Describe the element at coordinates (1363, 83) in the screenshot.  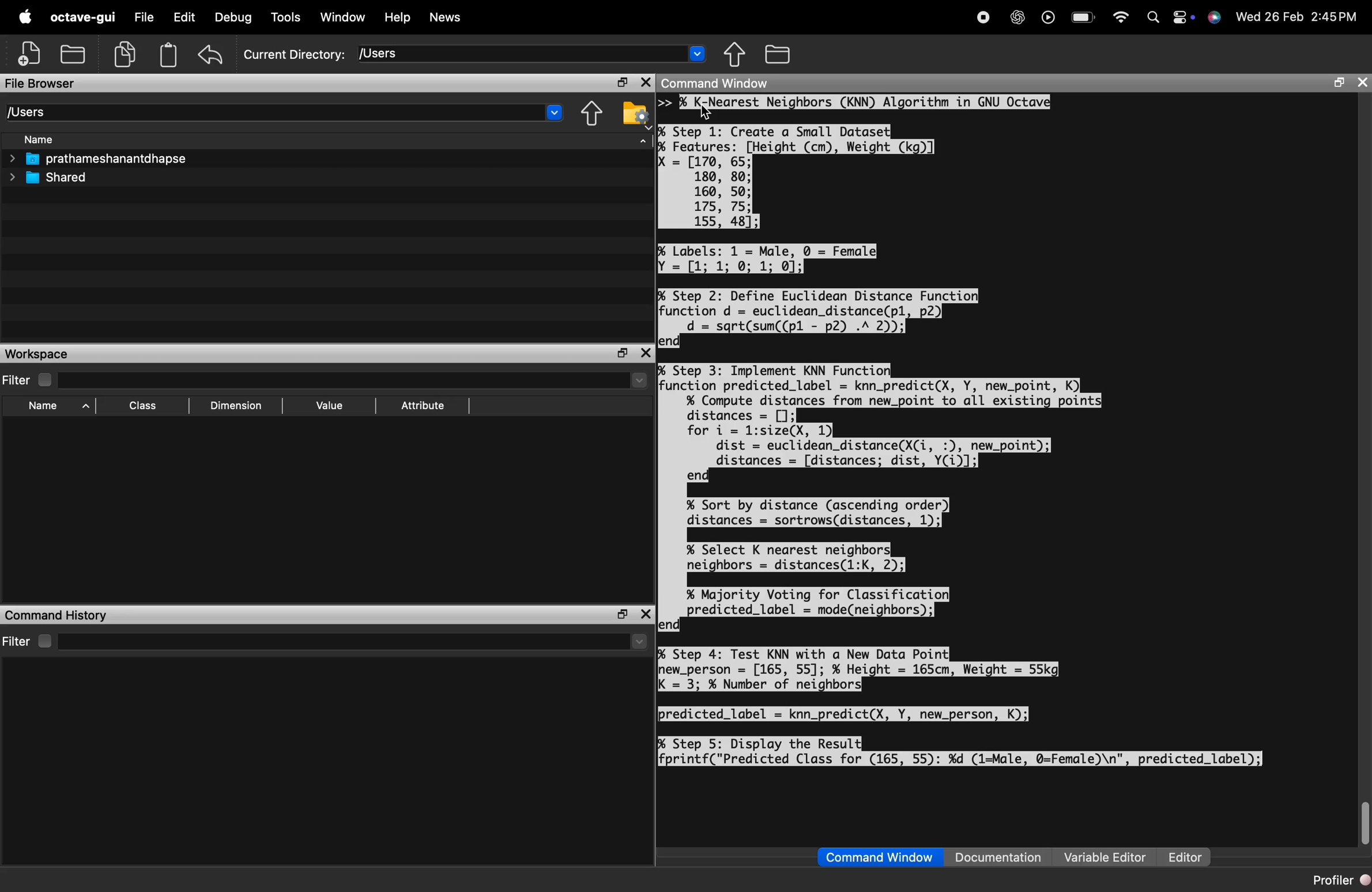
I see `close` at that location.